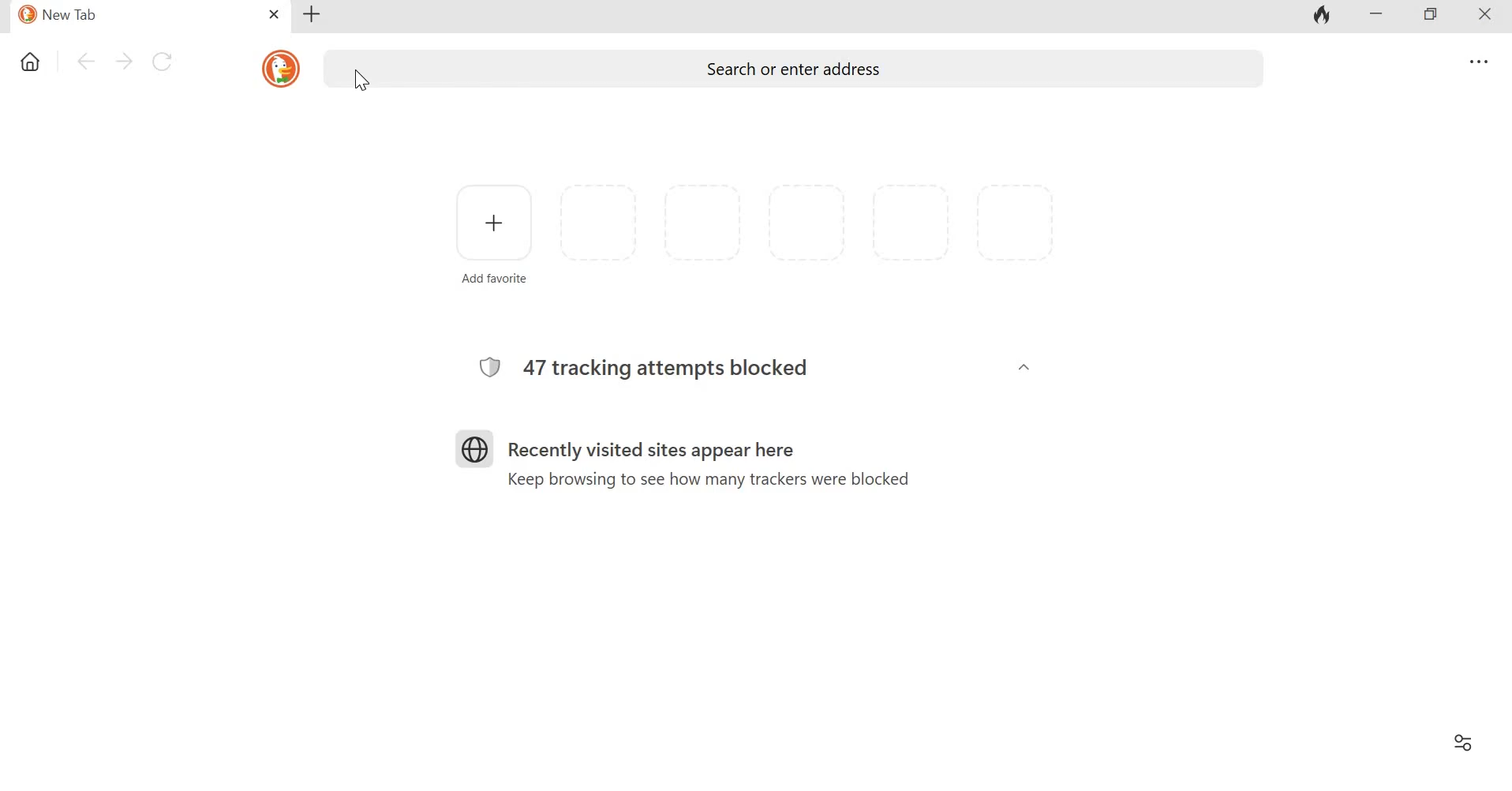  I want to click on Keep browsing to see how many trackers were blocked, so click(713, 482).